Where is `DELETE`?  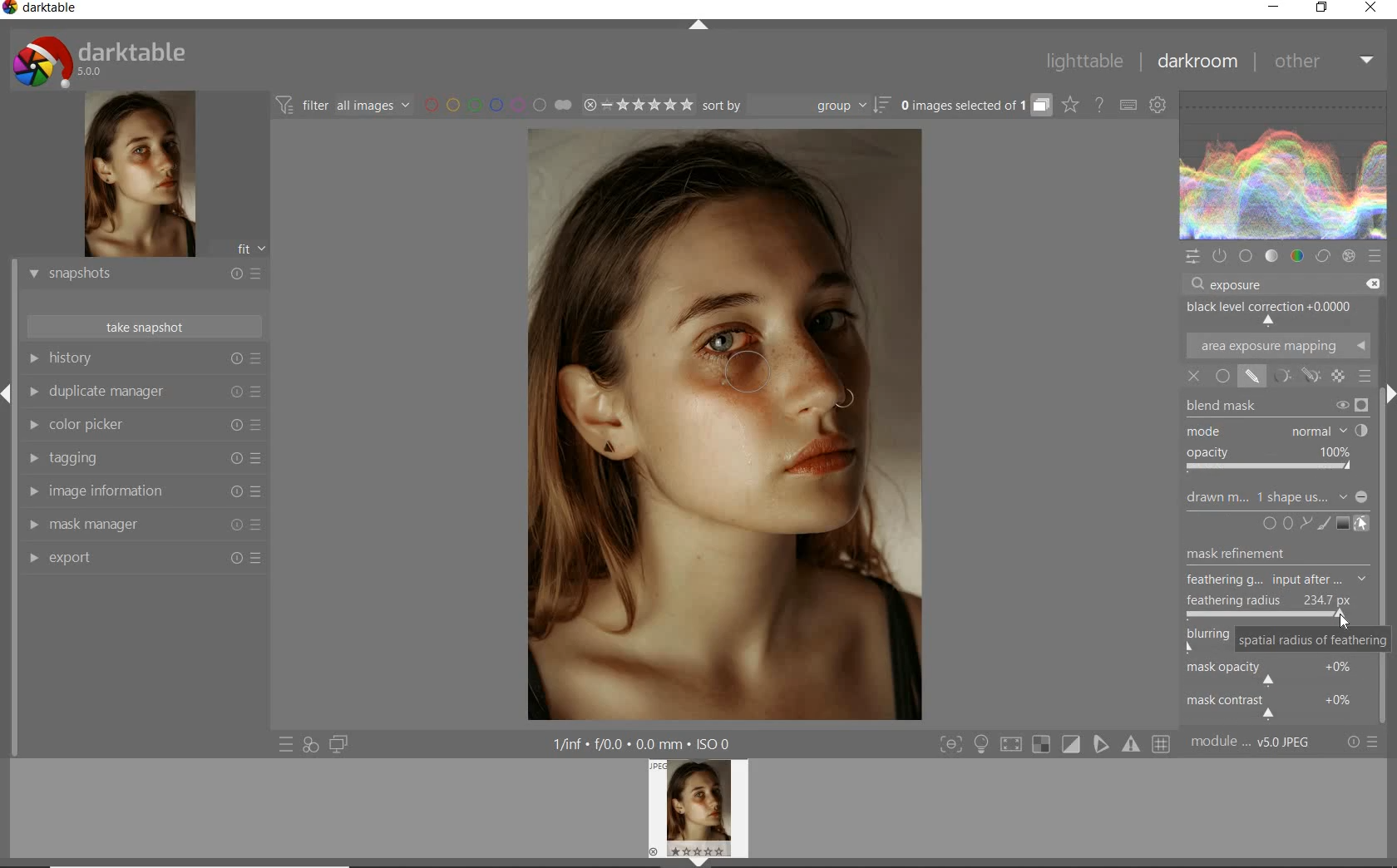
DELETE is located at coordinates (1371, 282).